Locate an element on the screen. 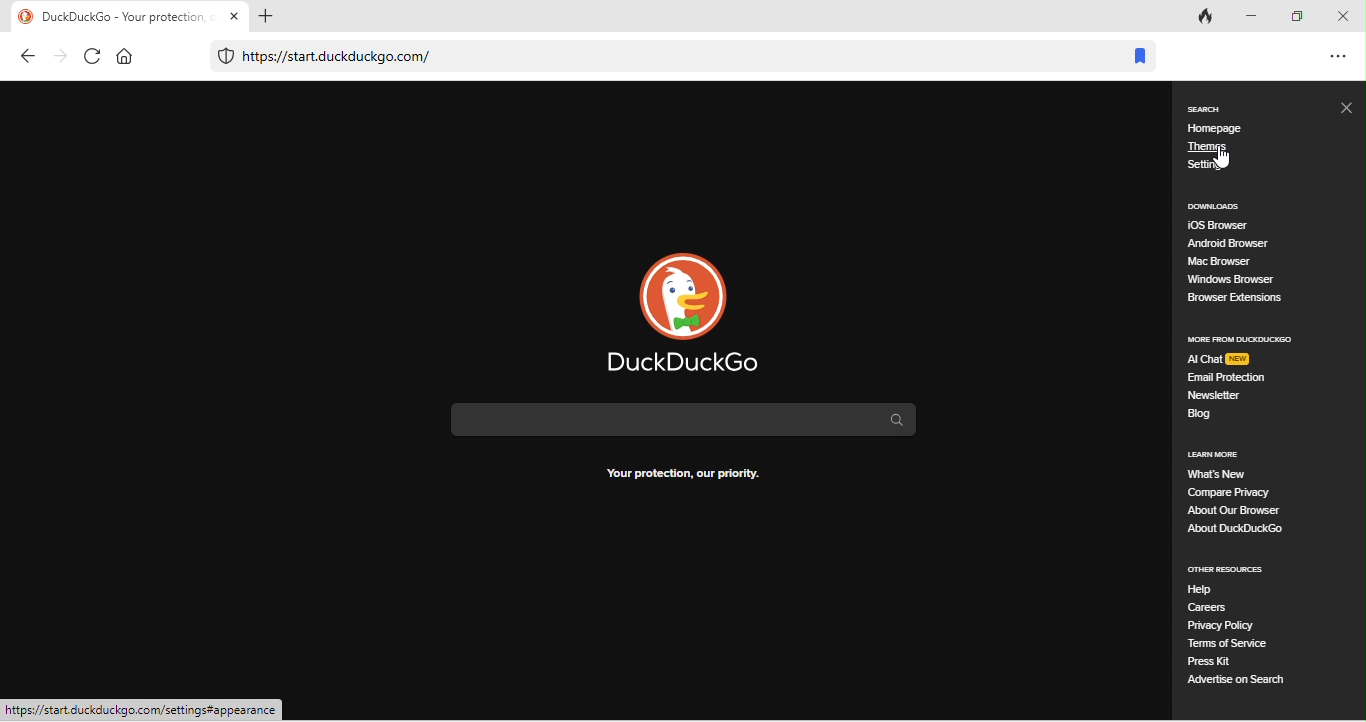 This screenshot has width=1366, height=722. browser extensions is located at coordinates (1237, 302).